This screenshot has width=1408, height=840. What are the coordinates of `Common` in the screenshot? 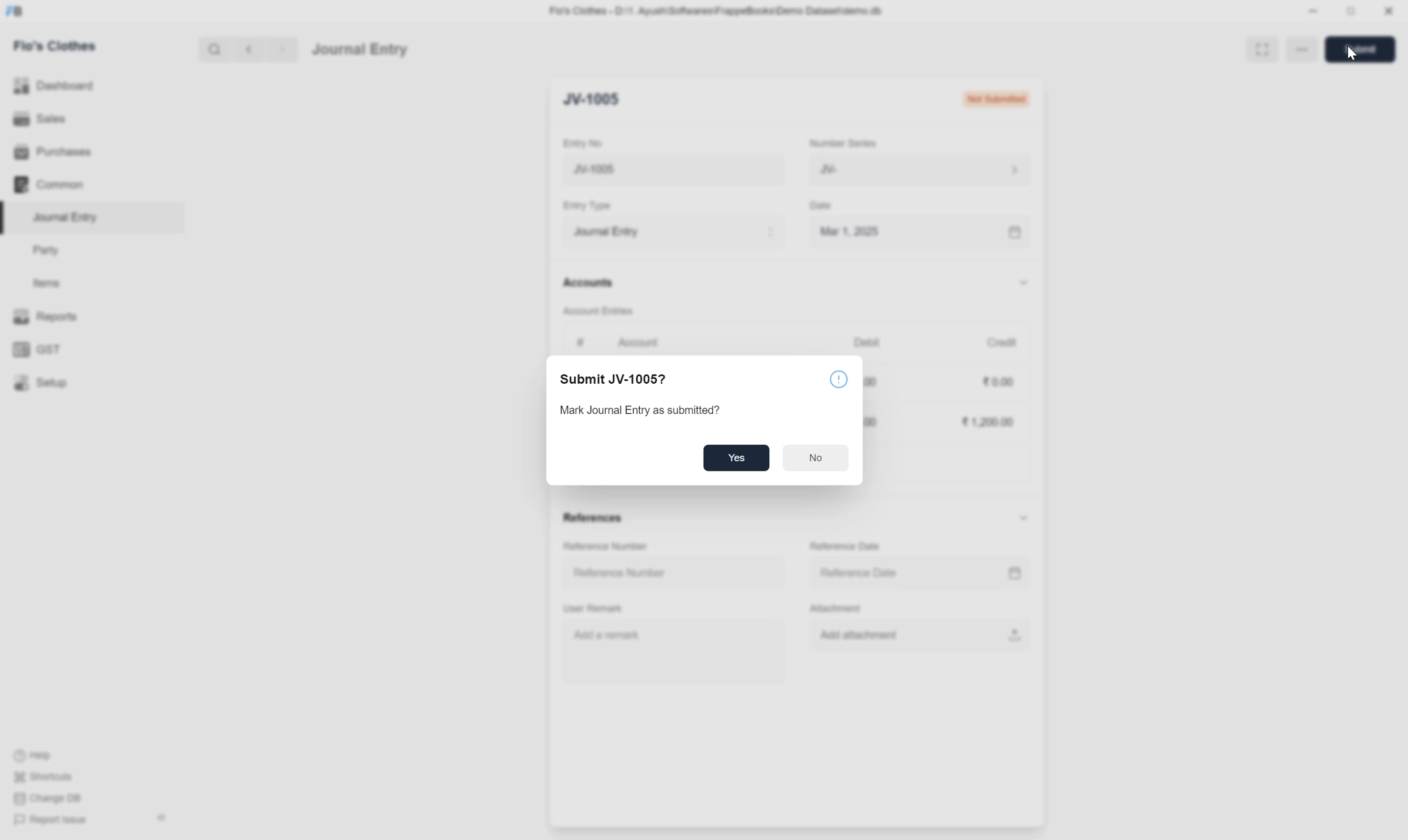 It's located at (50, 185).